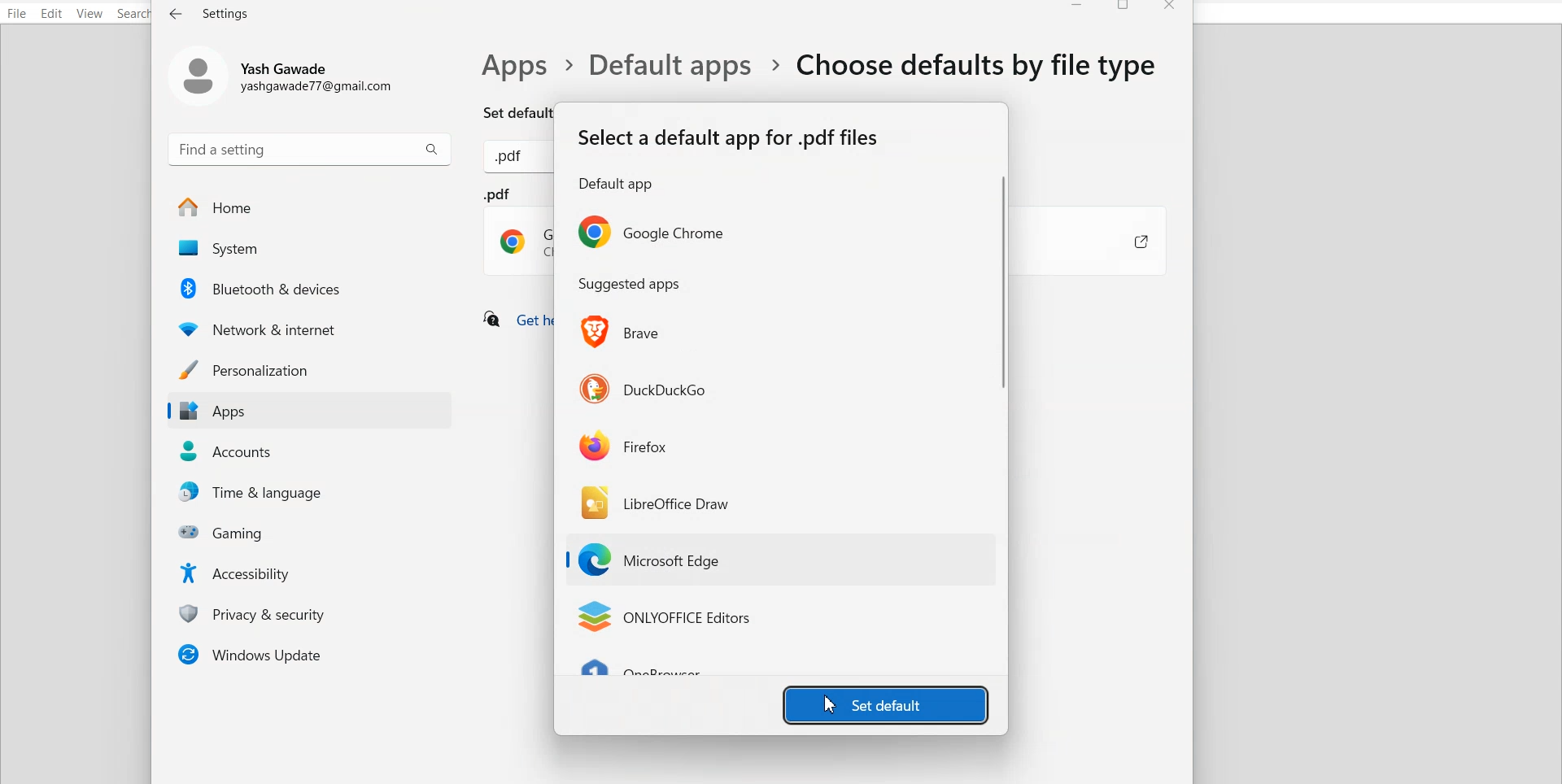 The width and height of the screenshot is (1562, 784). What do you see at coordinates (17, 13) in the screenshot?
I see `File` at bounding box center [17, 13].